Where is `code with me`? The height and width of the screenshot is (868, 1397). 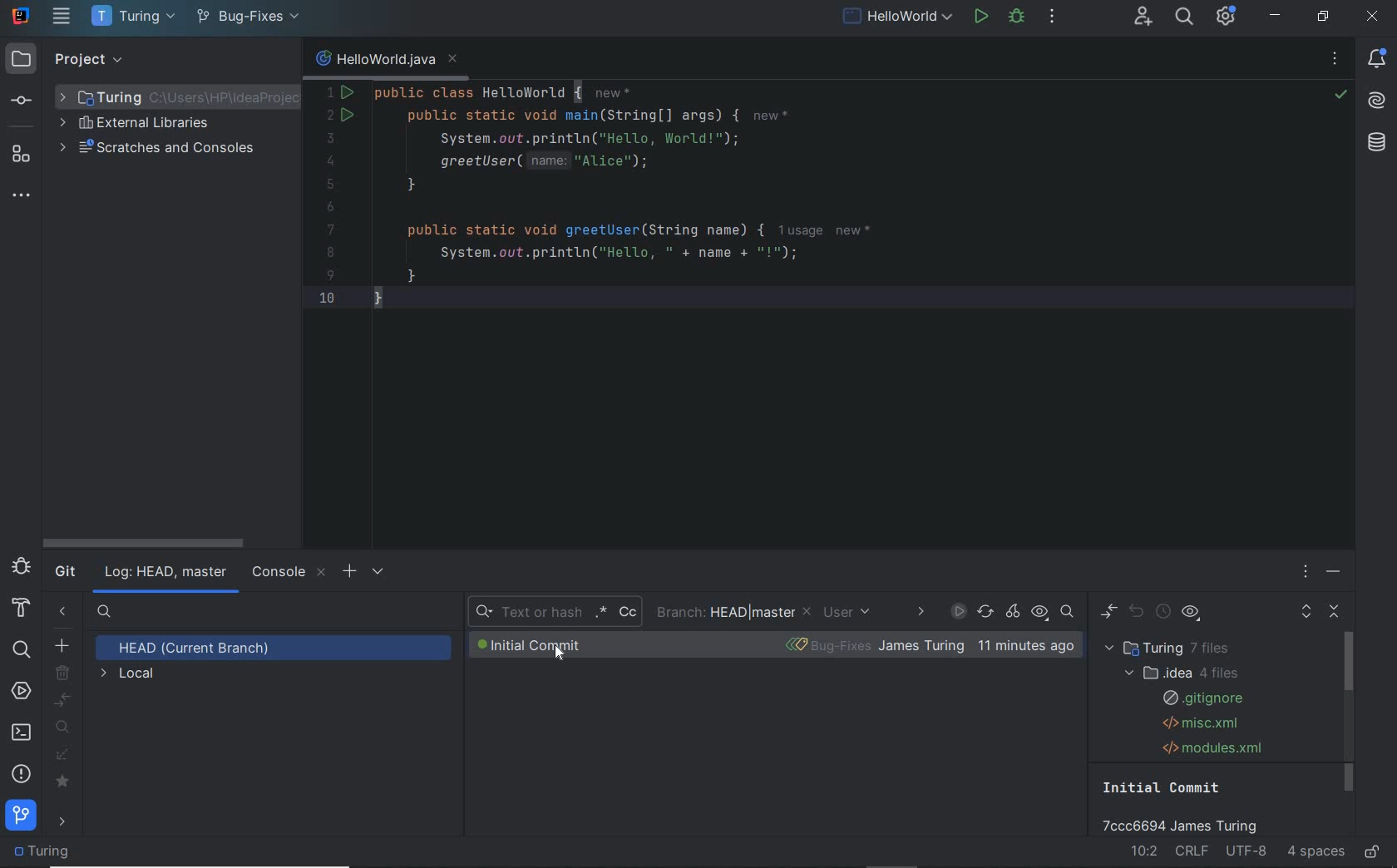 code with me is located at coordinates (1145, 18).